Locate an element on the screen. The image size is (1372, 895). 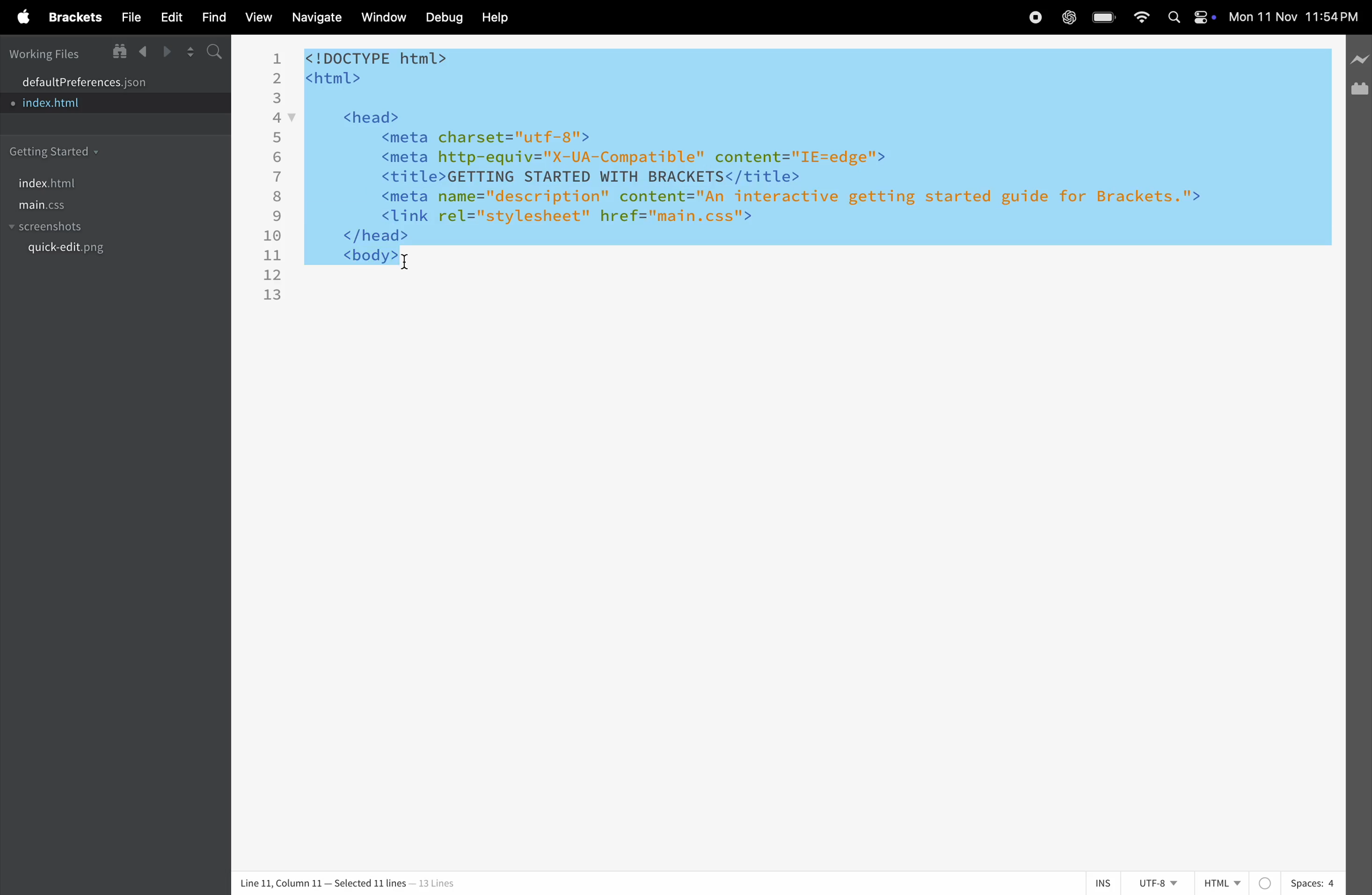
1 is located at coordinates (276, 58).